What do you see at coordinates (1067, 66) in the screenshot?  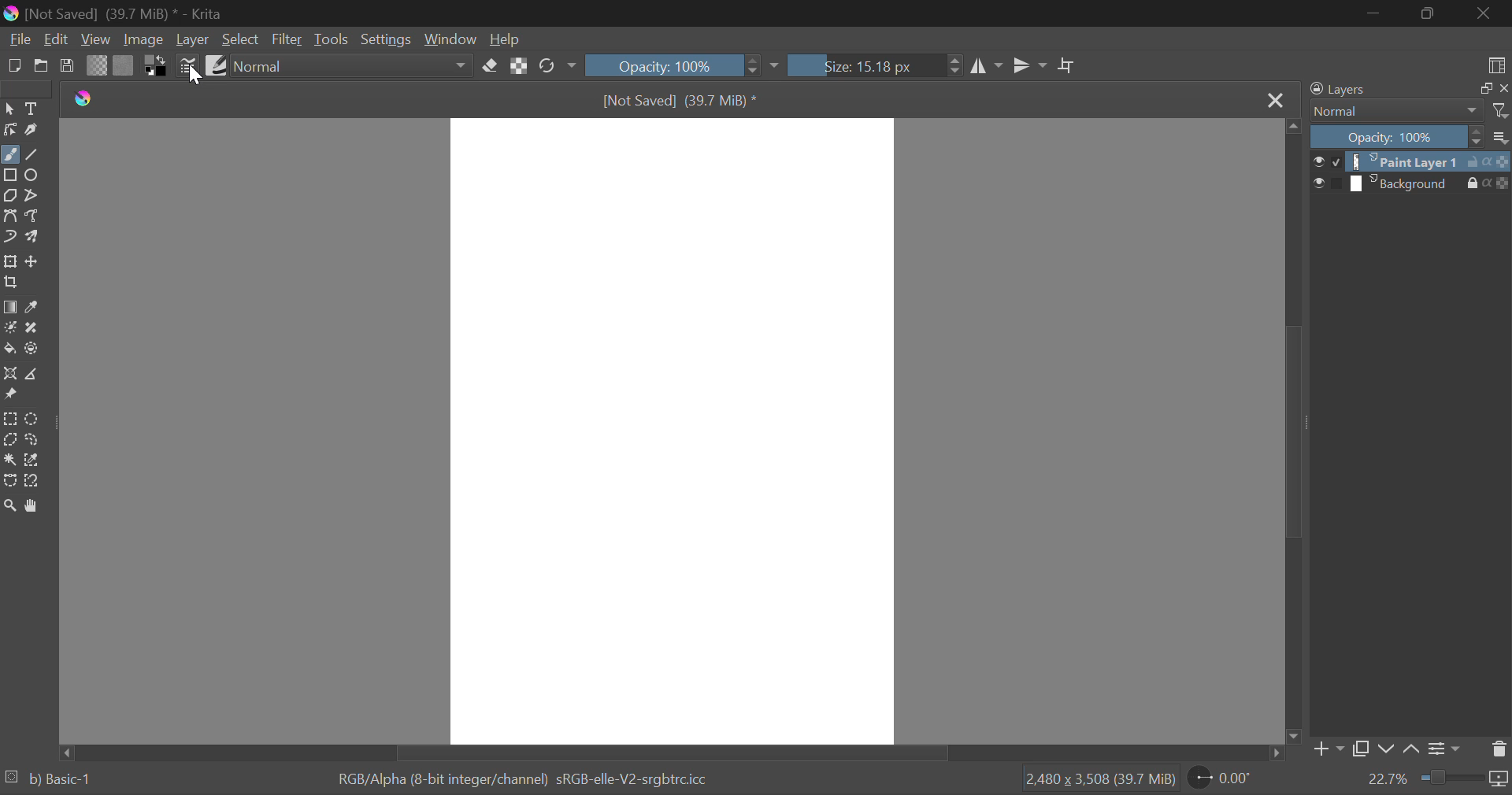 I see `Crop` at bounding box center [1067, 66].